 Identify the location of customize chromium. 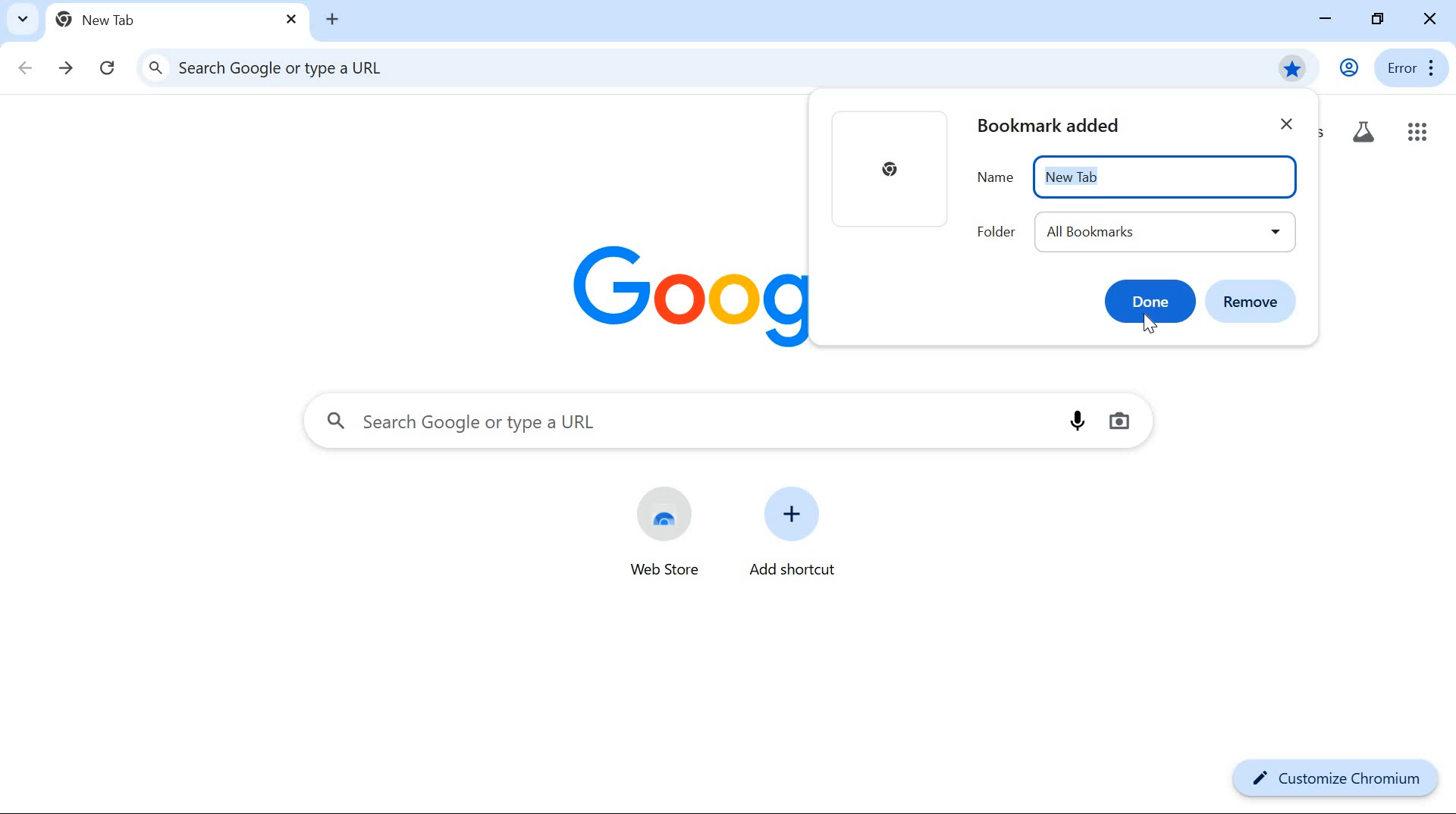
(1333, 781).